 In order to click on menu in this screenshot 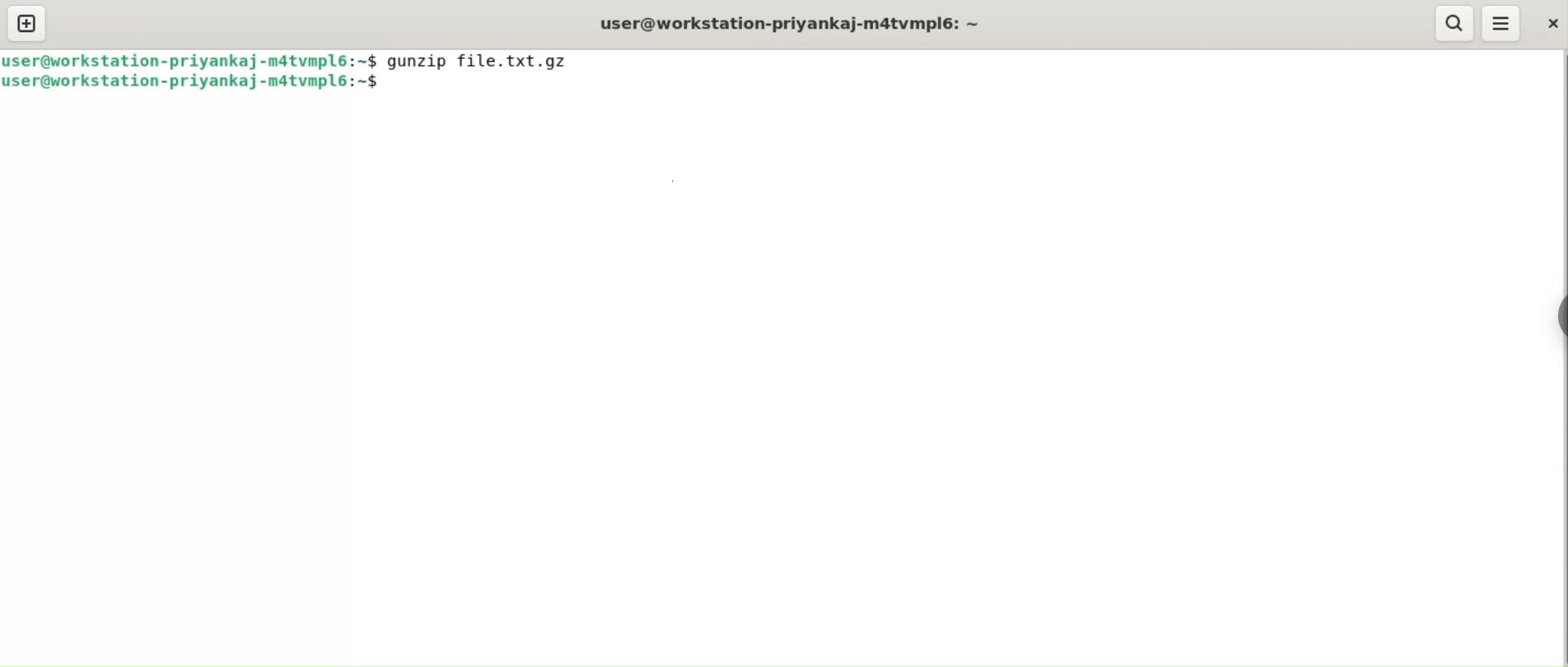, I will do `click(1499, 23)`.